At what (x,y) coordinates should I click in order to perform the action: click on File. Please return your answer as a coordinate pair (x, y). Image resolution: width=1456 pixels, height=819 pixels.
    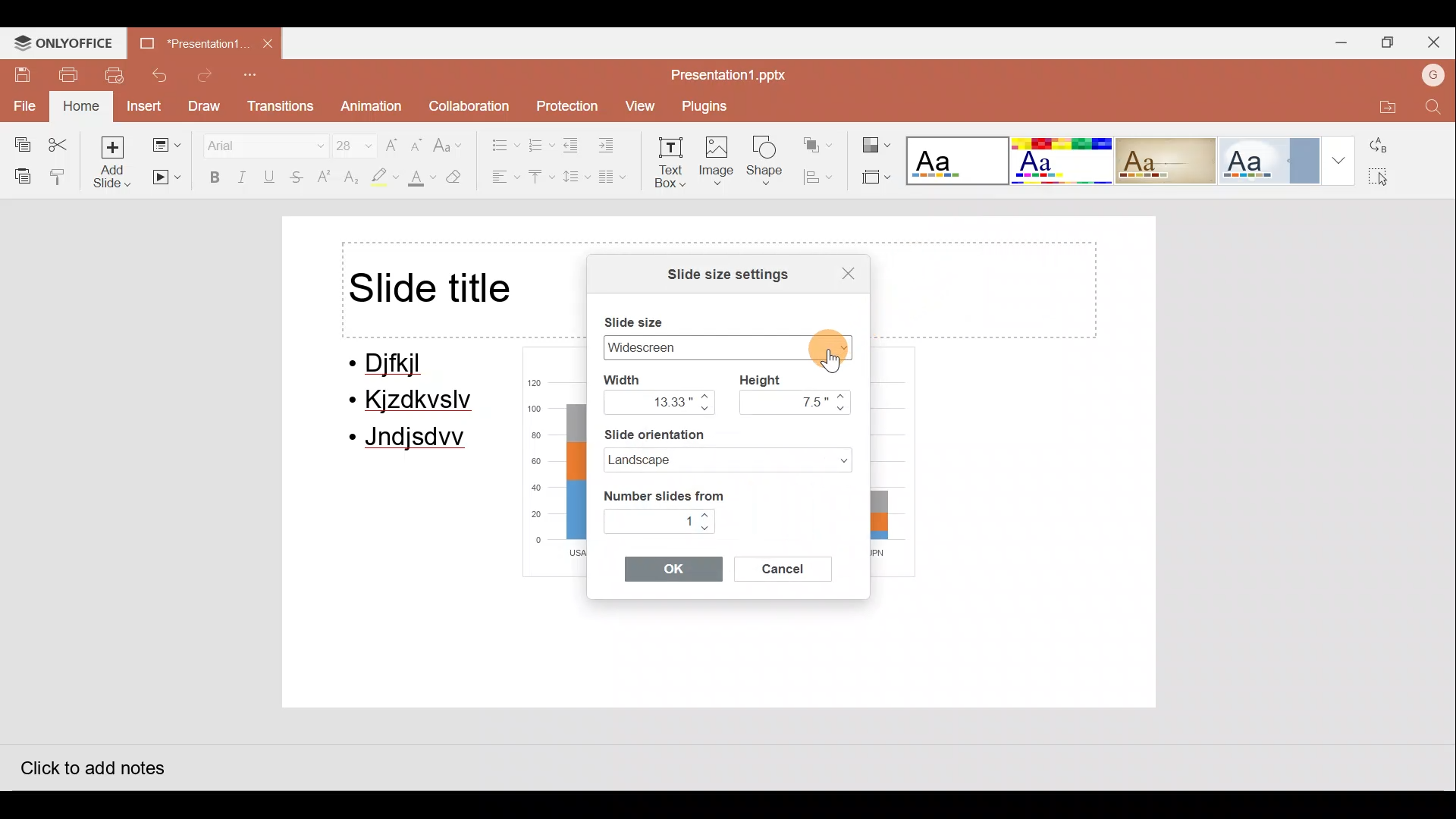
    Looking at the image, I should click on (23, 104).